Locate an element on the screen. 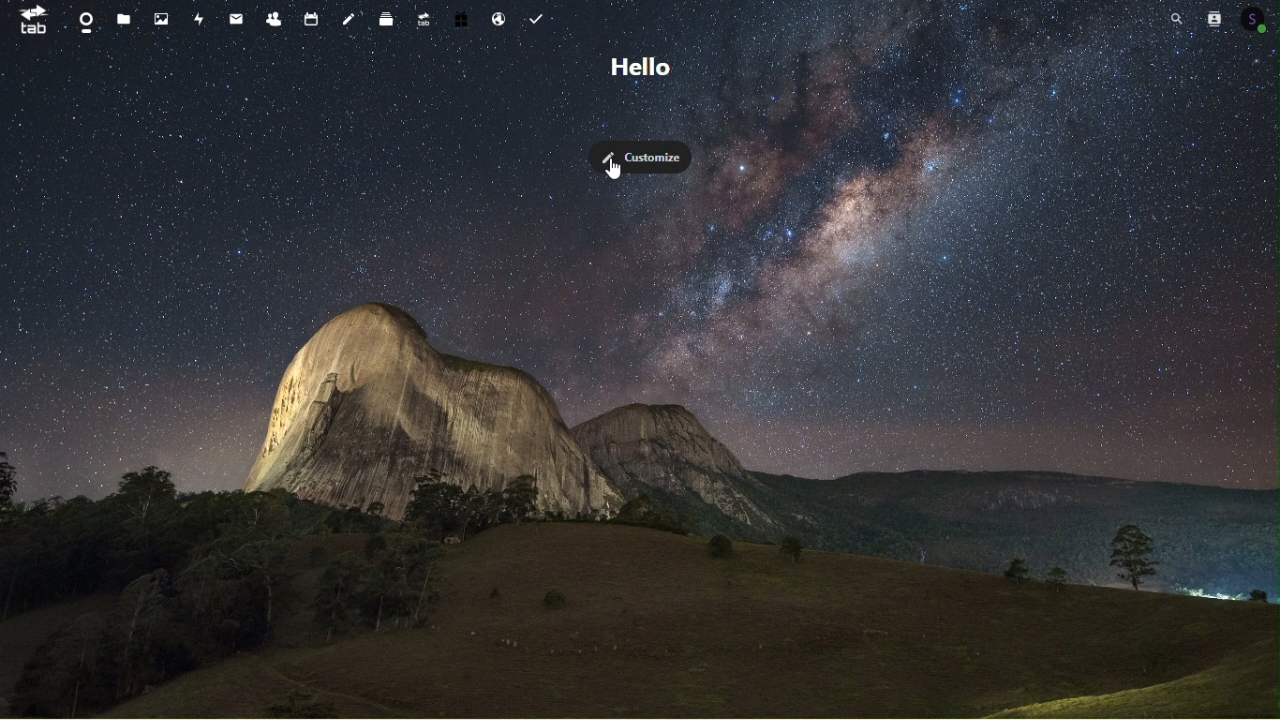  Customise is located at coordinates (643, 157).